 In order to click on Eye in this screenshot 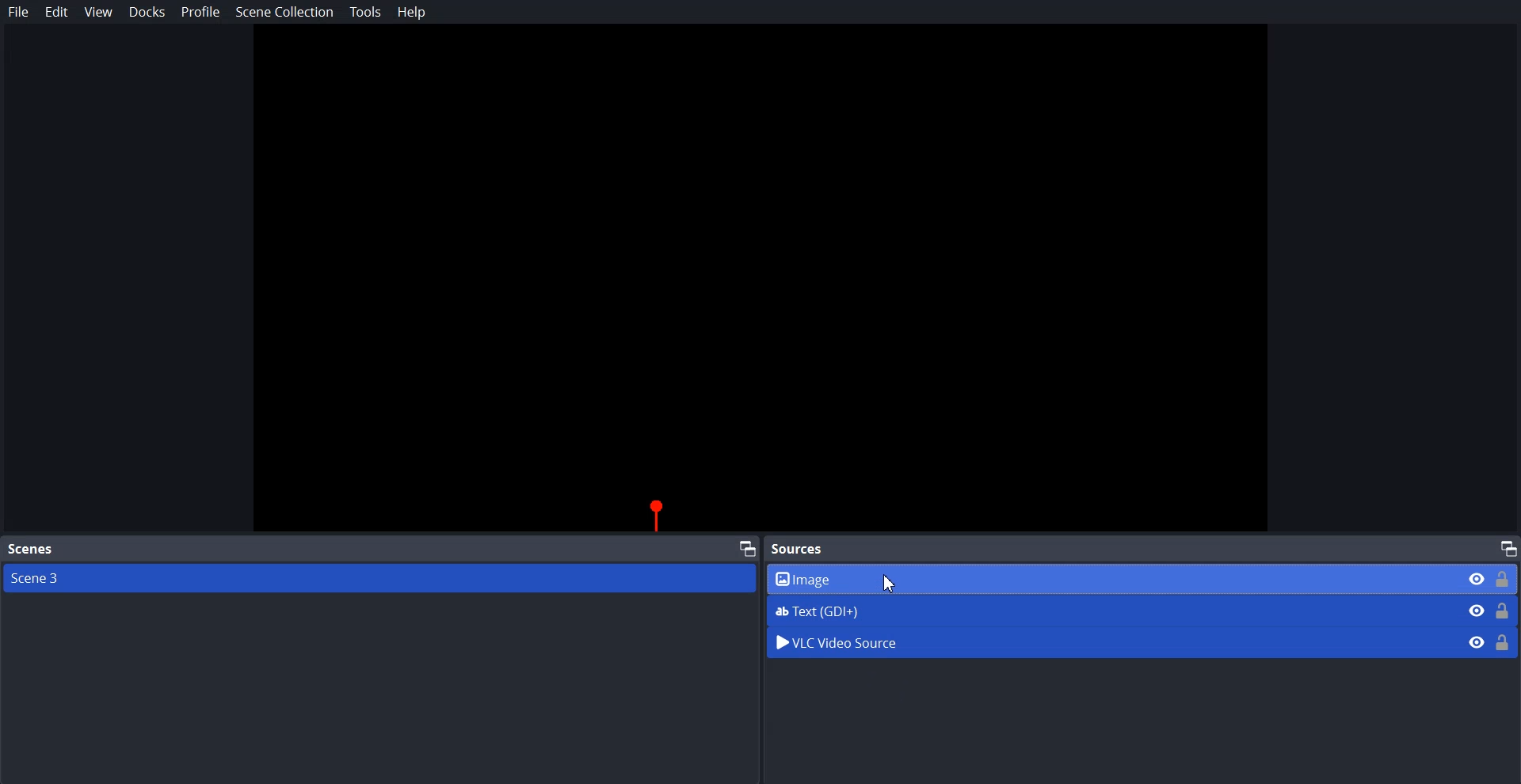, I will do `click(1477, 641)`.